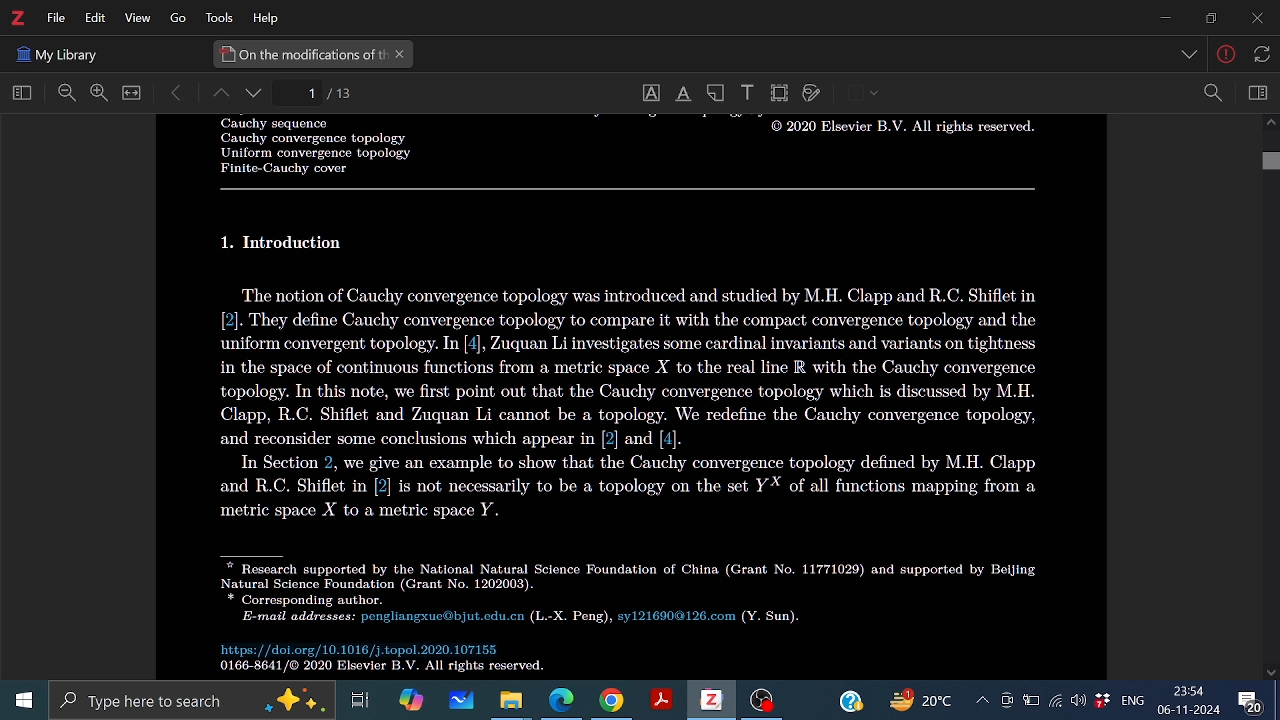 This screenshot has width=1280, height=720. Describe the element at coordinates (638, 403) in the screenshot. I see `` at that location.